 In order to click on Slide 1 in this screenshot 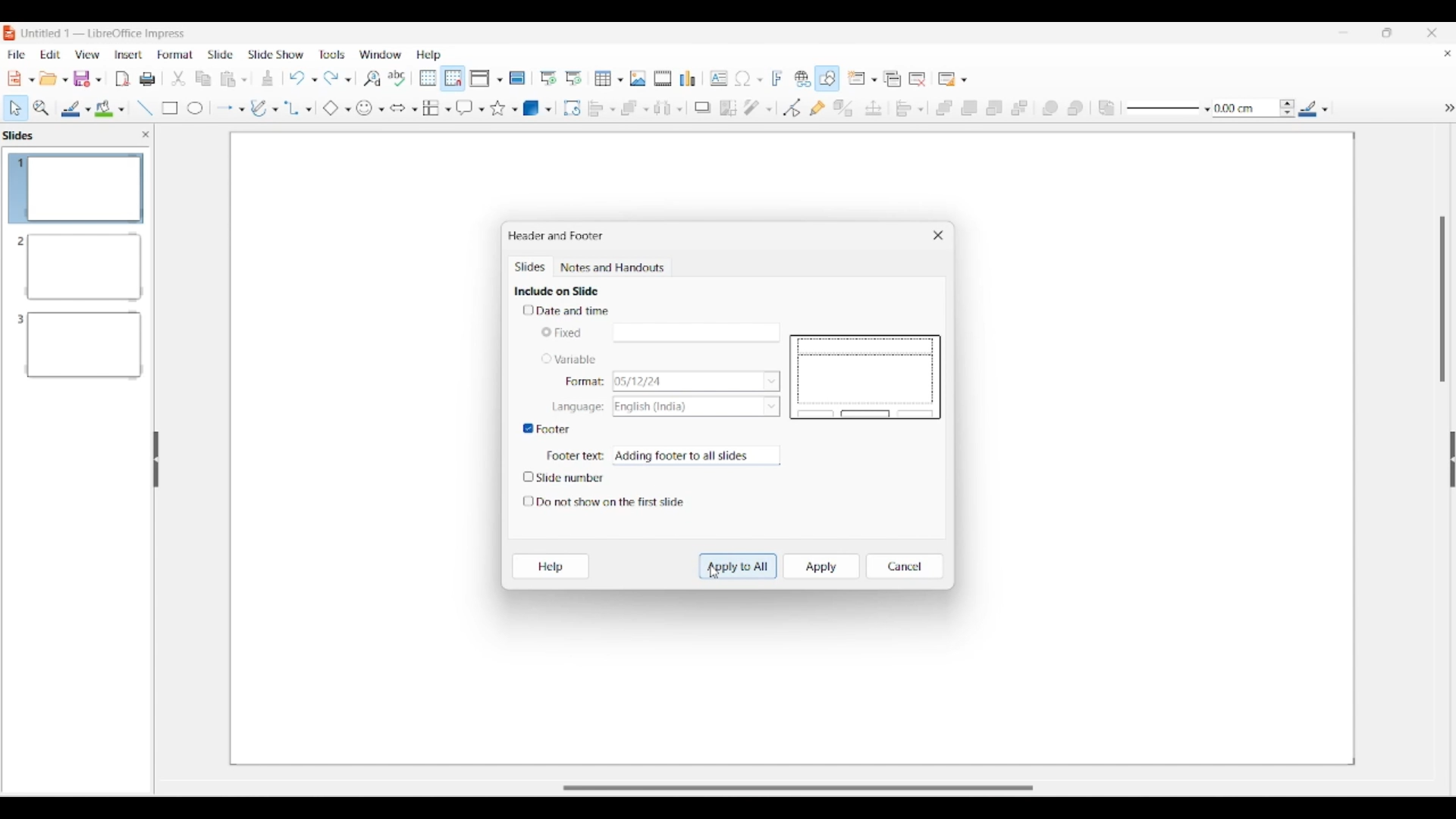, I will do `click(77, 187)`.